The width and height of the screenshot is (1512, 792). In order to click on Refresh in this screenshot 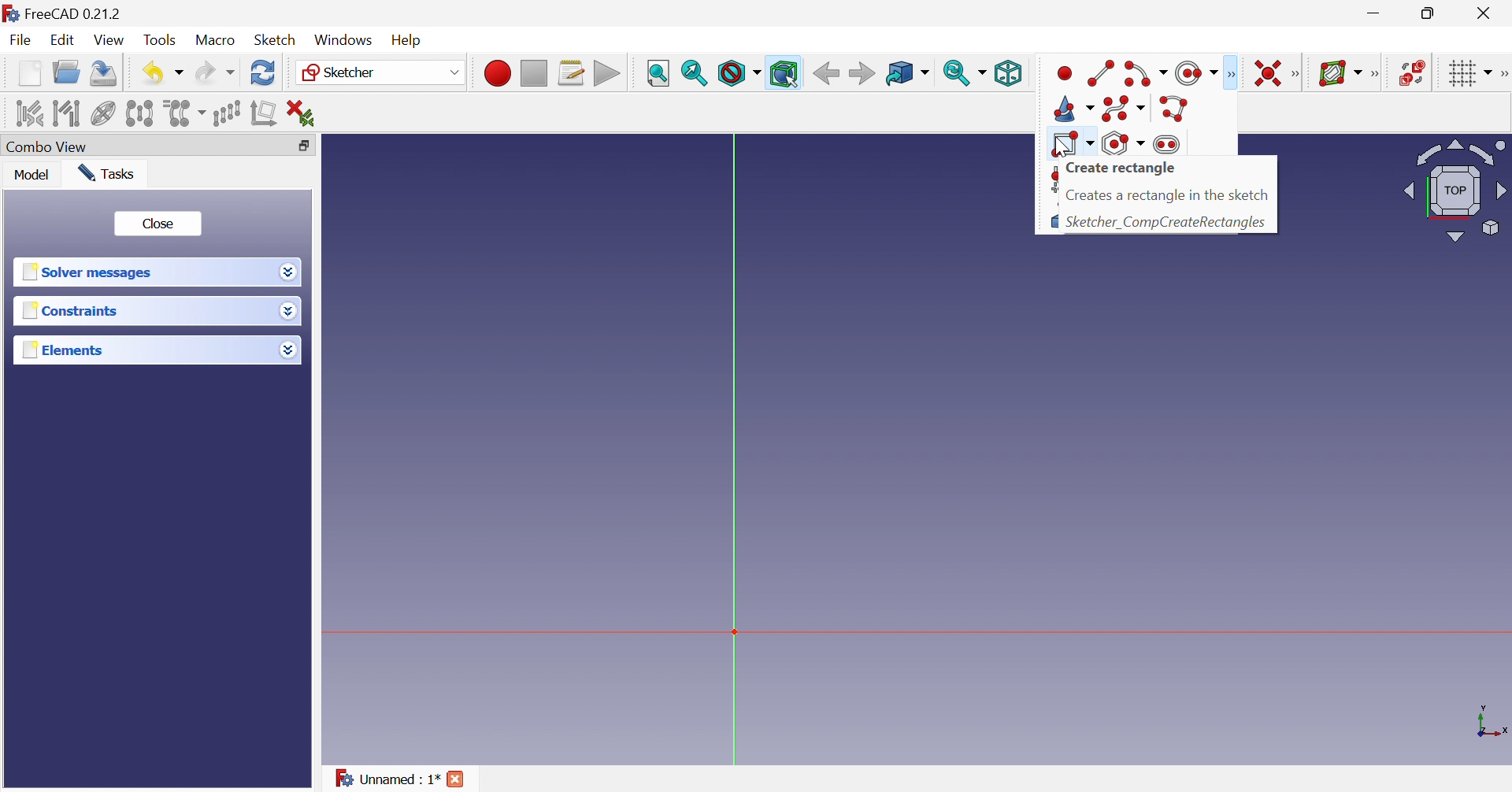, I will do `click(264, 73)`.